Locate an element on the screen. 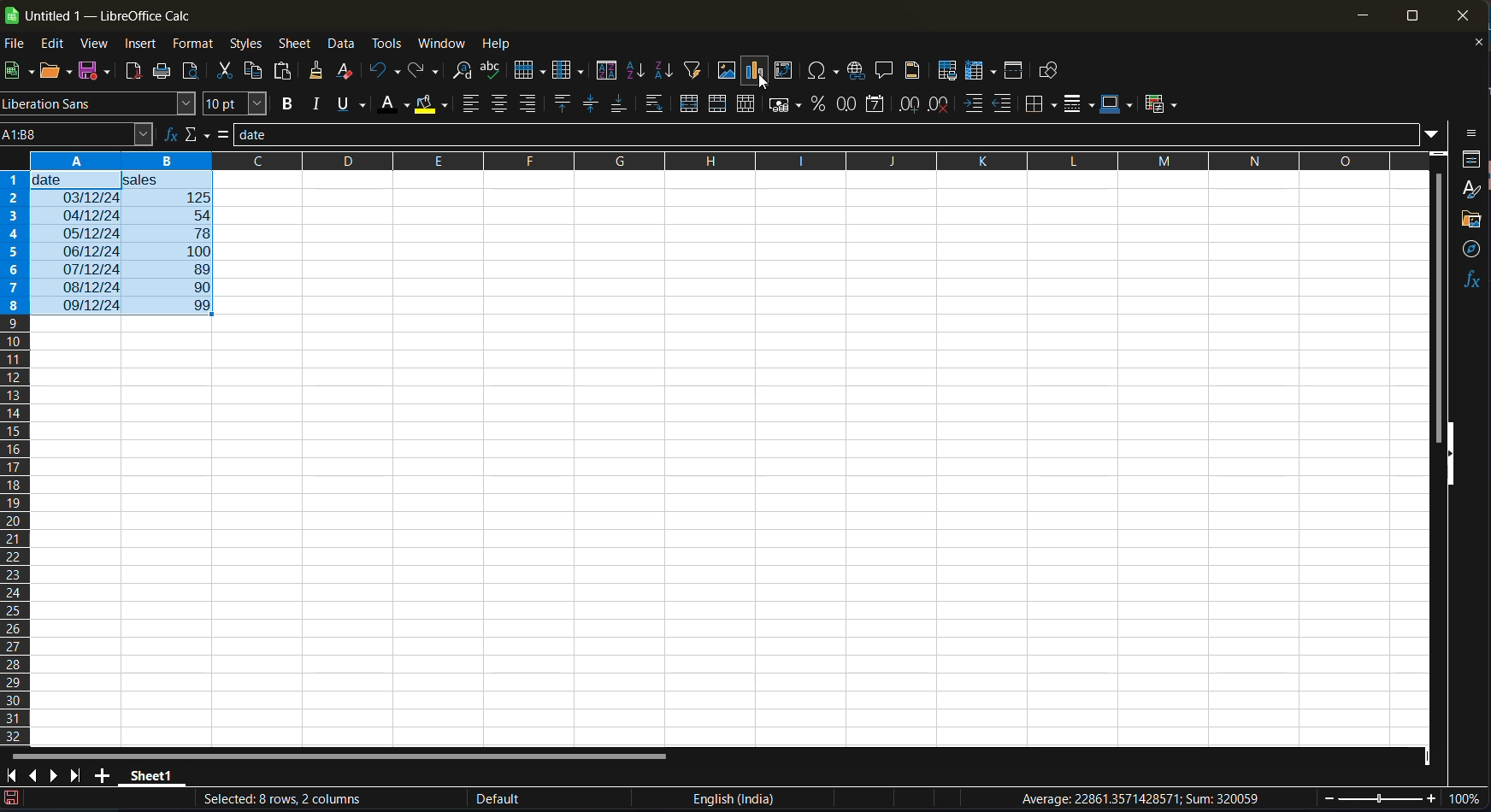  rows is located at coordinates (714, 160).